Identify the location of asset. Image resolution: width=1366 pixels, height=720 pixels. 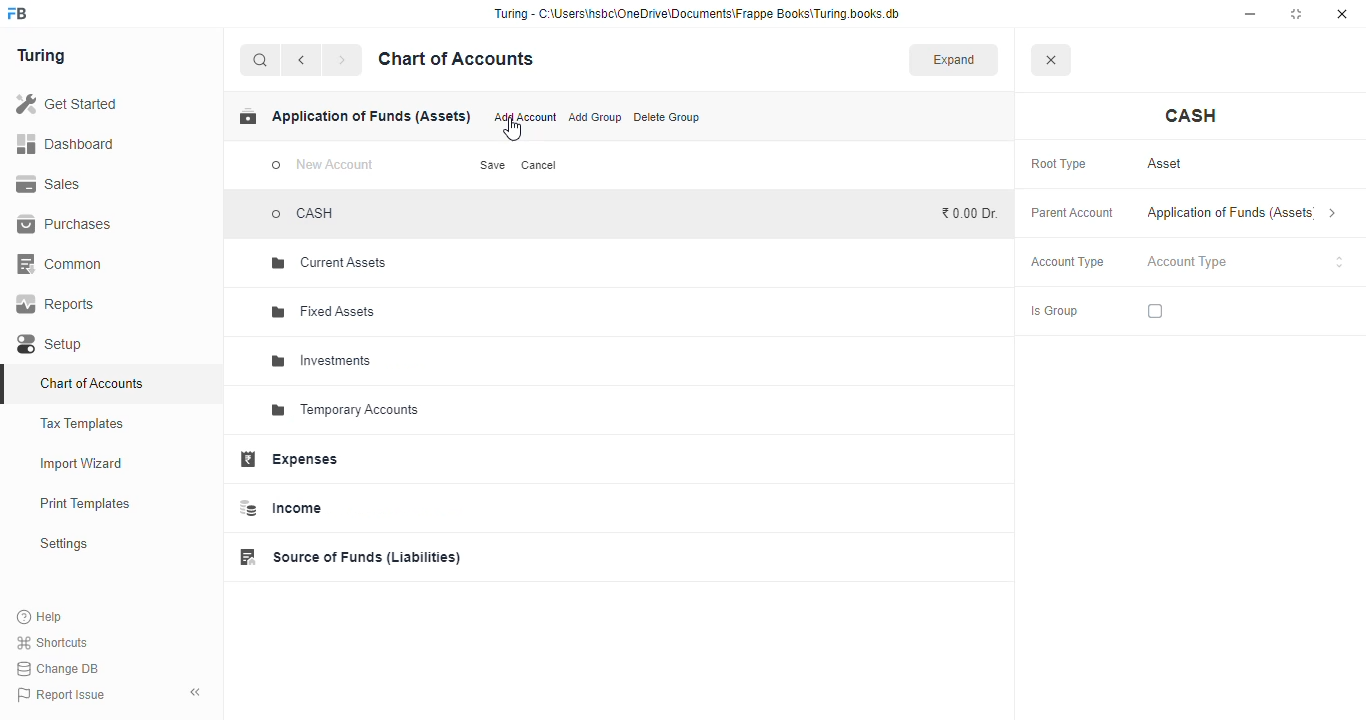
(1166, 164).